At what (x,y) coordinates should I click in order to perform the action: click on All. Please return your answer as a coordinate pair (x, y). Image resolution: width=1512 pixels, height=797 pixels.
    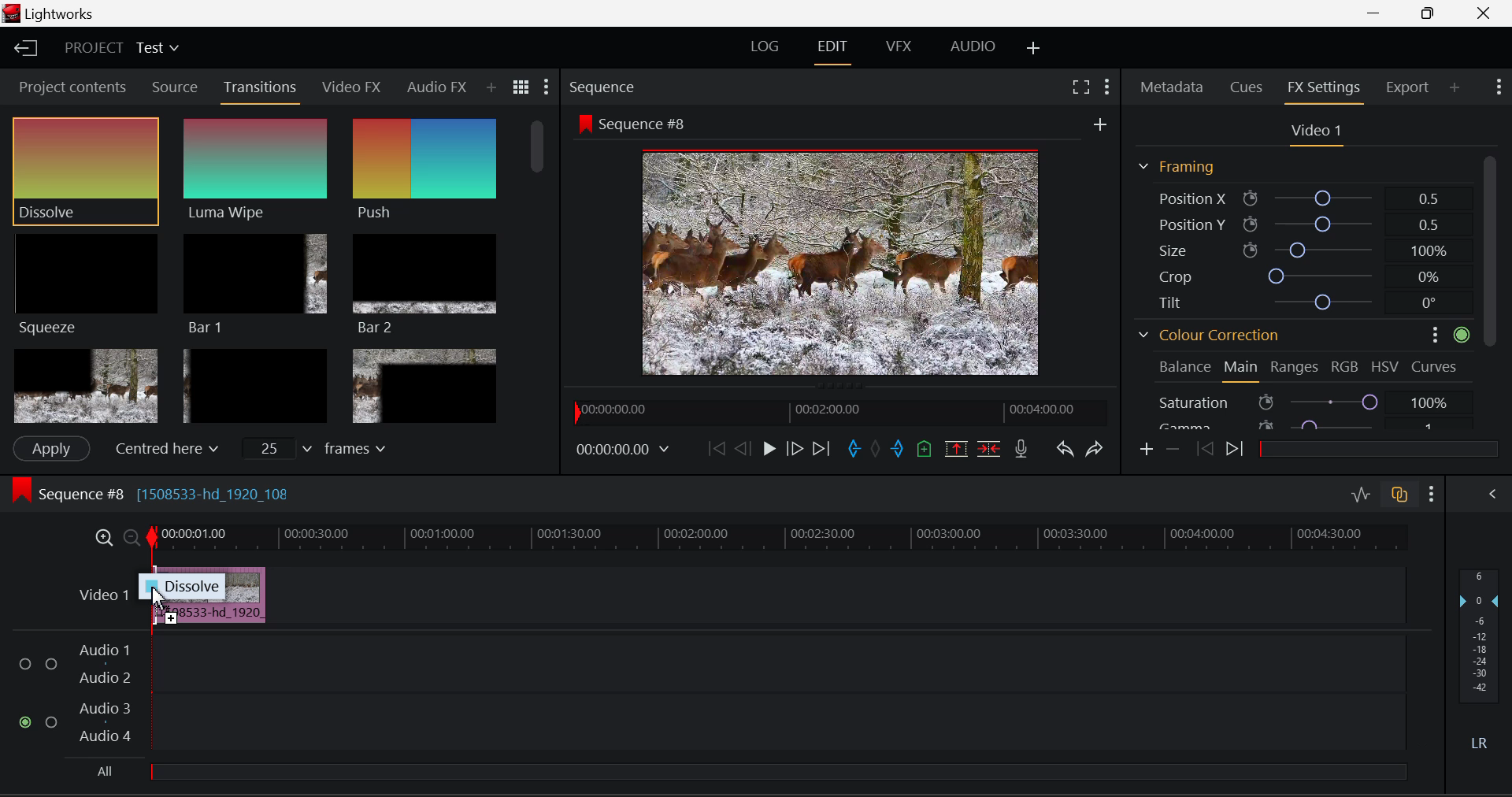
    Looking at the image, I should click on (744, 776).